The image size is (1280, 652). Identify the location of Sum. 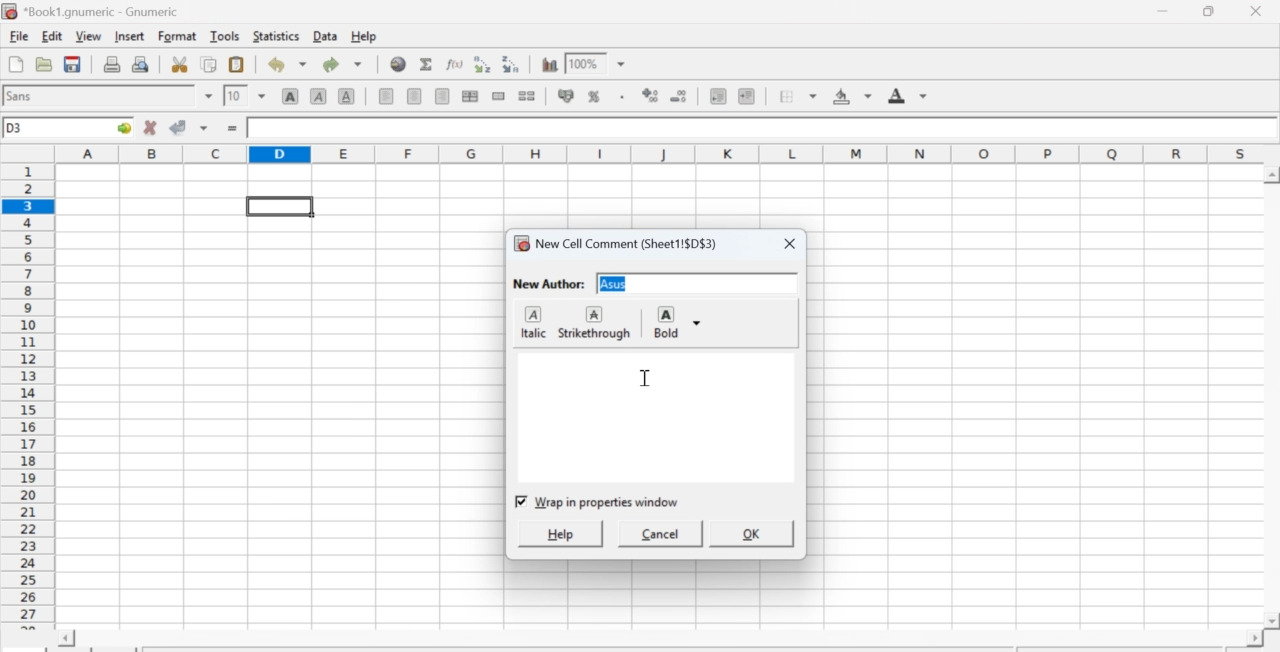
(428, 65).